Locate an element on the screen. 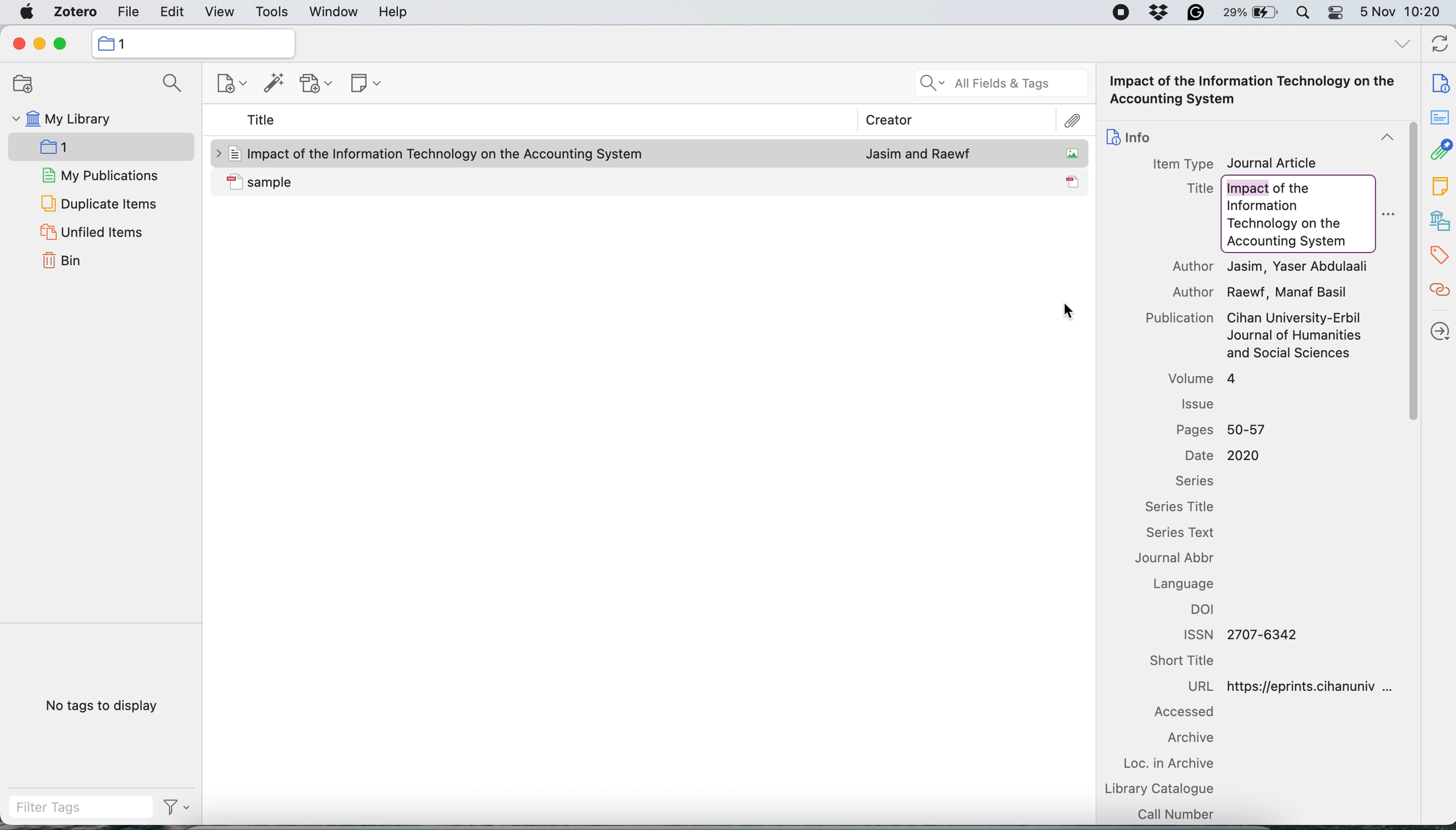  my library is located at coordinates (63, 117).